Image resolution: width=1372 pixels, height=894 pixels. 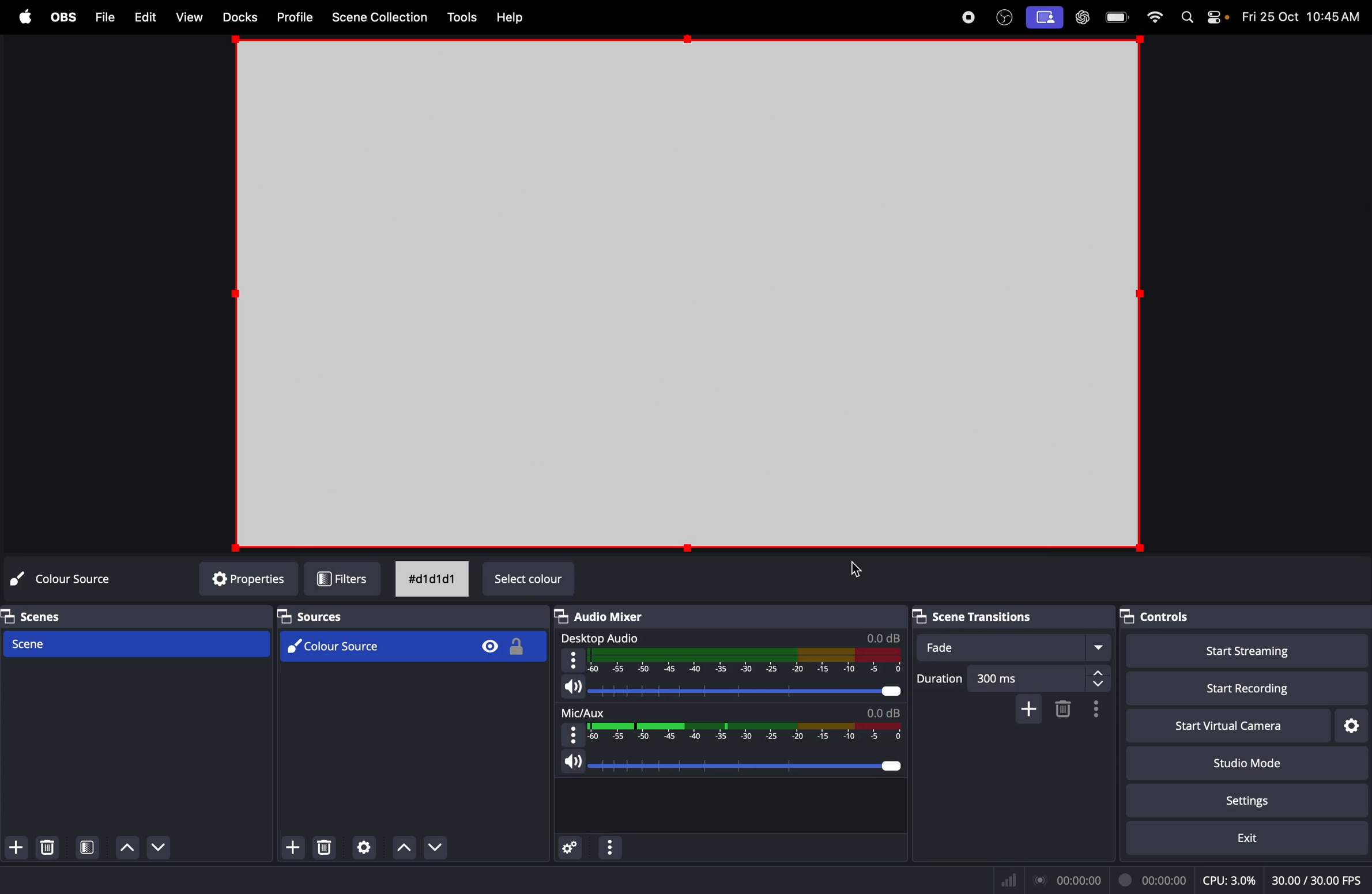 What do you see at coordinates (52, 847) in the screenshot?
I see `delete` at bounding box center [52, 847].